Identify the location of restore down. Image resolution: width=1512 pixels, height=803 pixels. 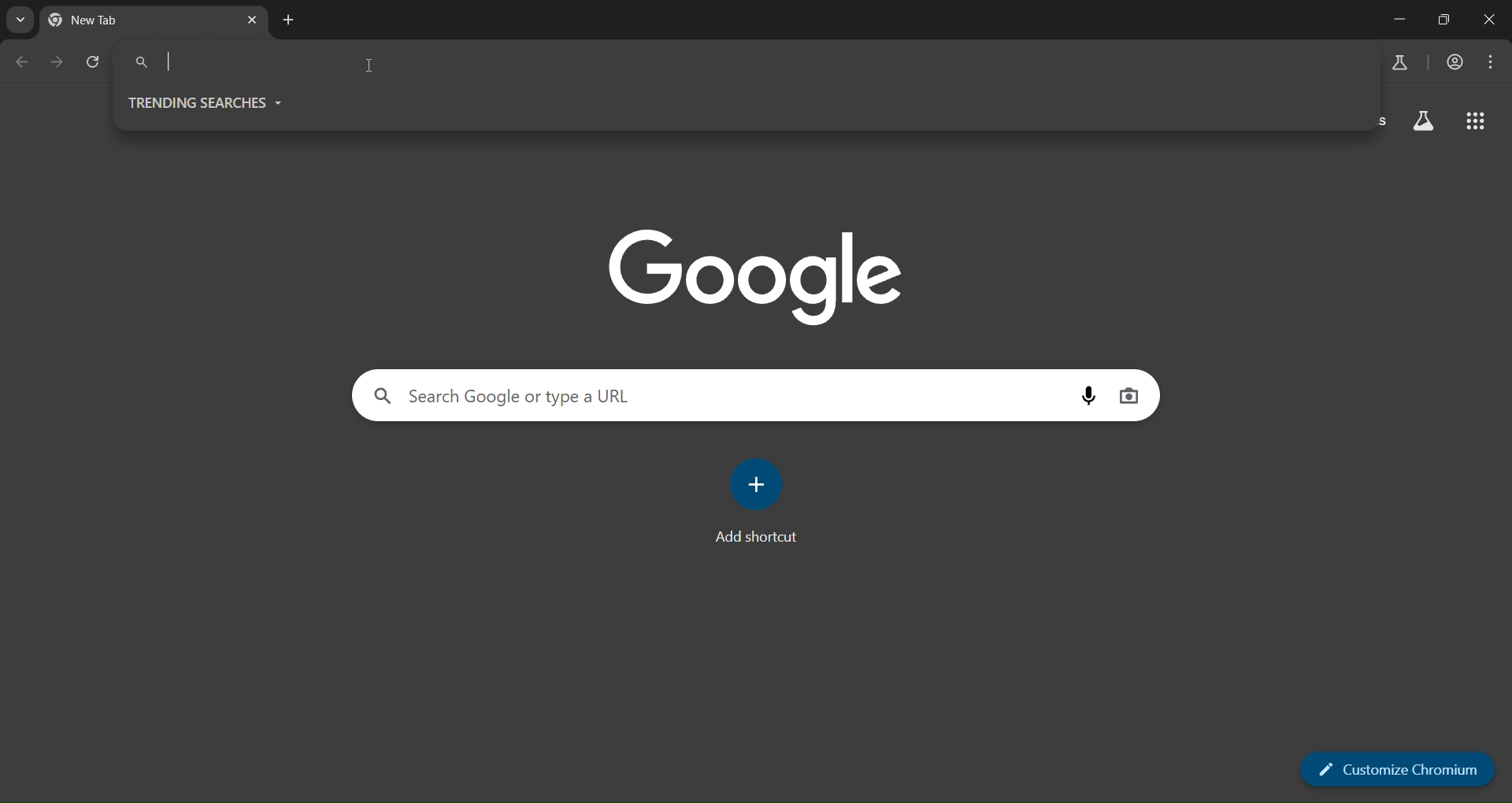
(1442, 19).